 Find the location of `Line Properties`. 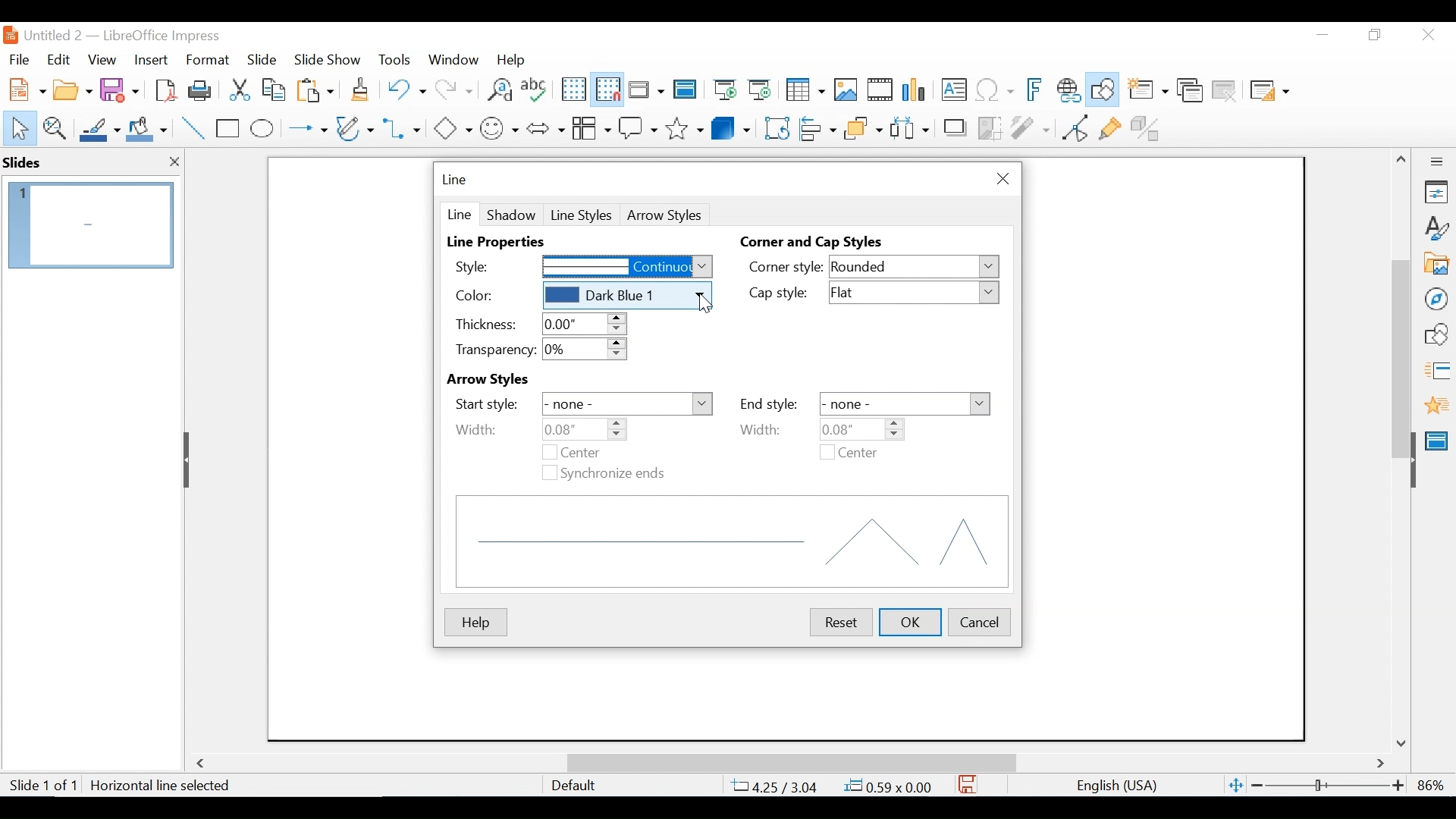

Line Properties is located at coordinates (502, 243).